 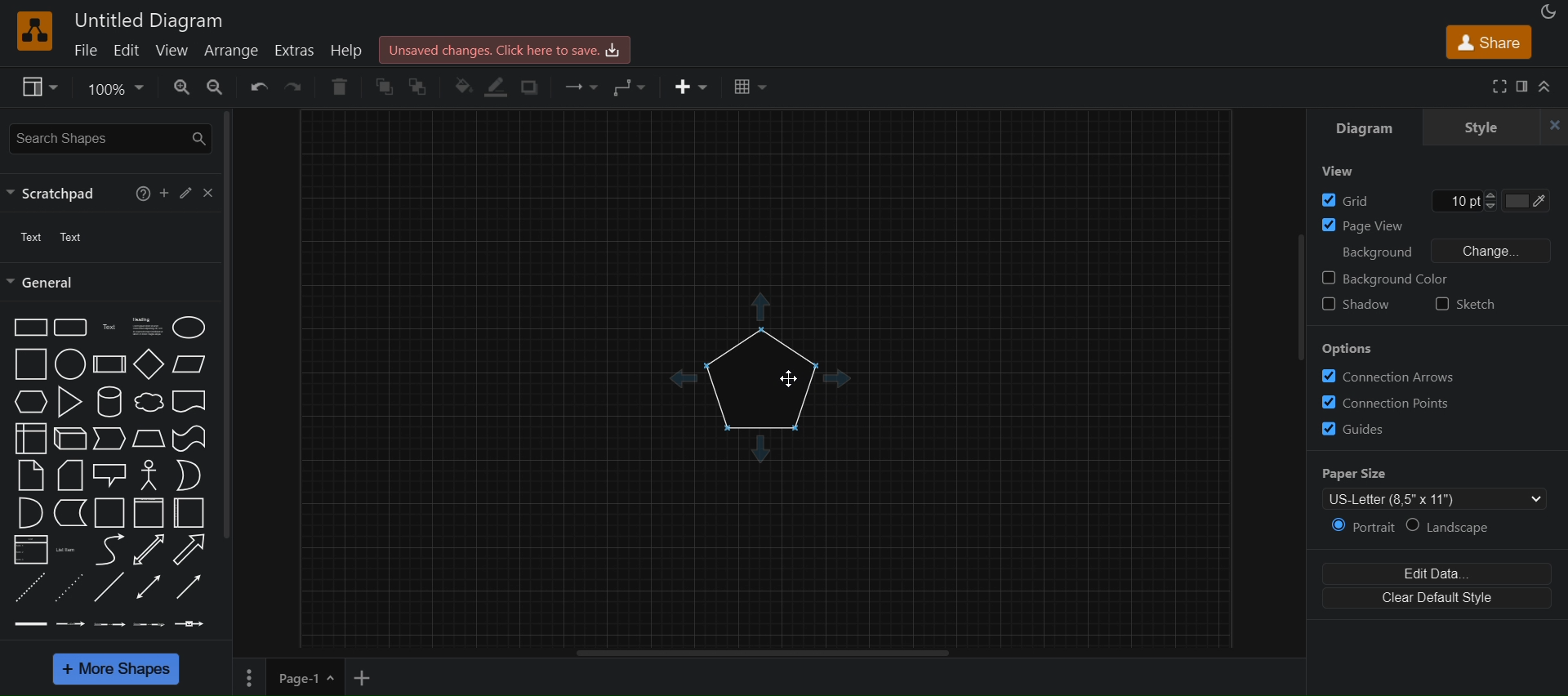 I want to click on close, so click(x=207, y=193).